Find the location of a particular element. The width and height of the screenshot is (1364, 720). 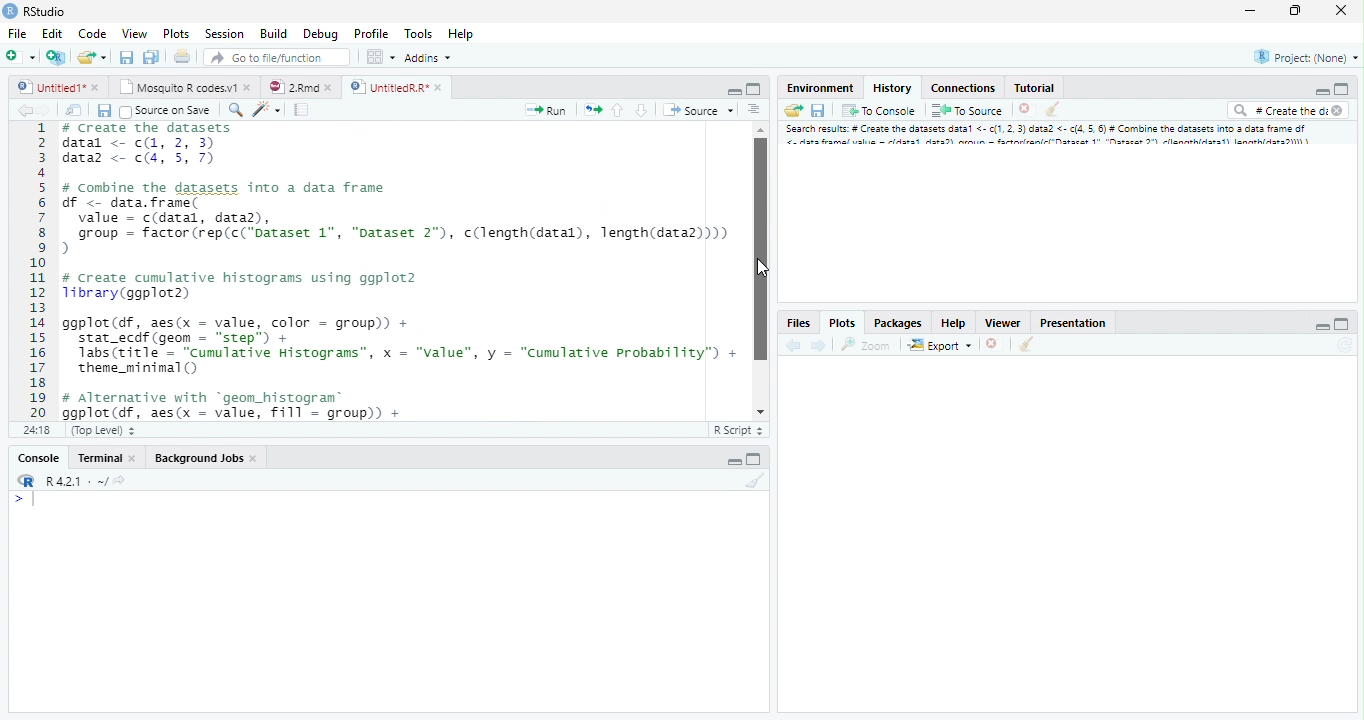

History is located at coordinates (892, 87).